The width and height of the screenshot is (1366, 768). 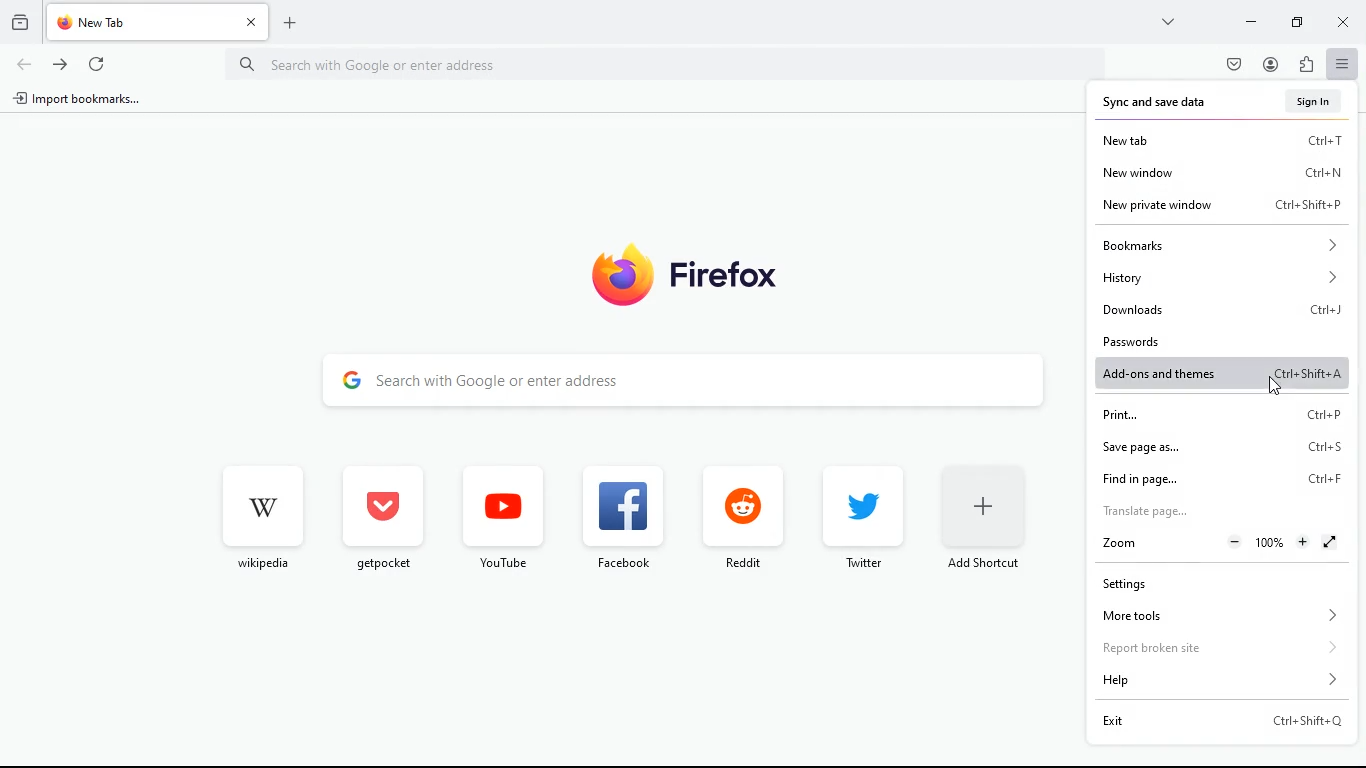 What do you see at coordinates (1157, 101) in the screenshot?
I see `sync and save data` at bounding box center [1157, 101].